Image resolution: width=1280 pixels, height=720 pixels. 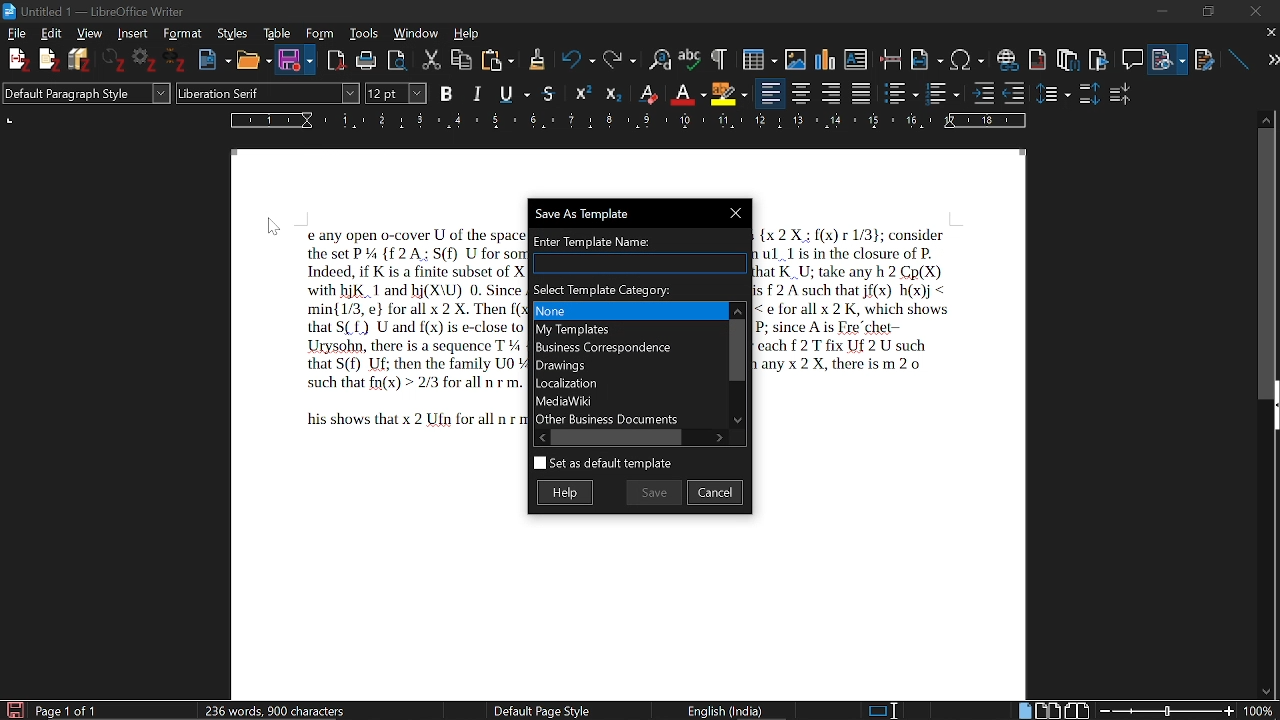 What do you see at coordinates (728, 92) in the screenshot?
I see `character highlighting option` at bounding box center [728, 92].